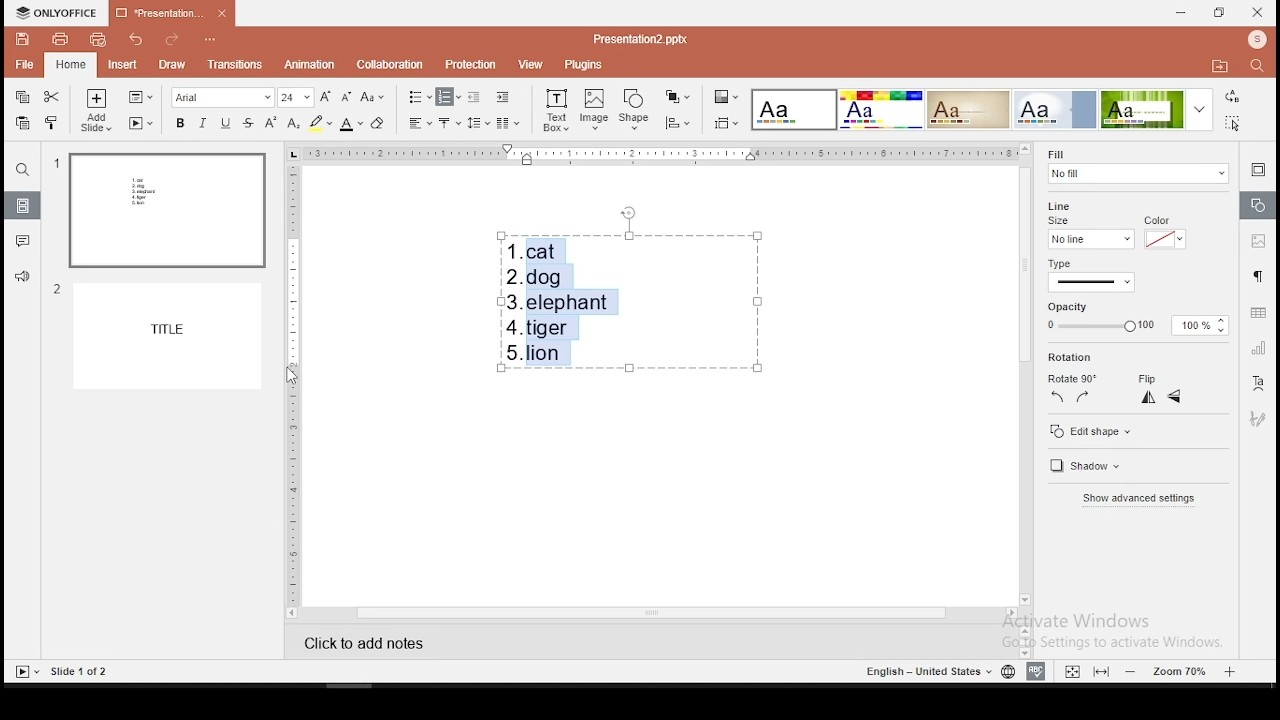  I want to click on , so click(1257, 416).